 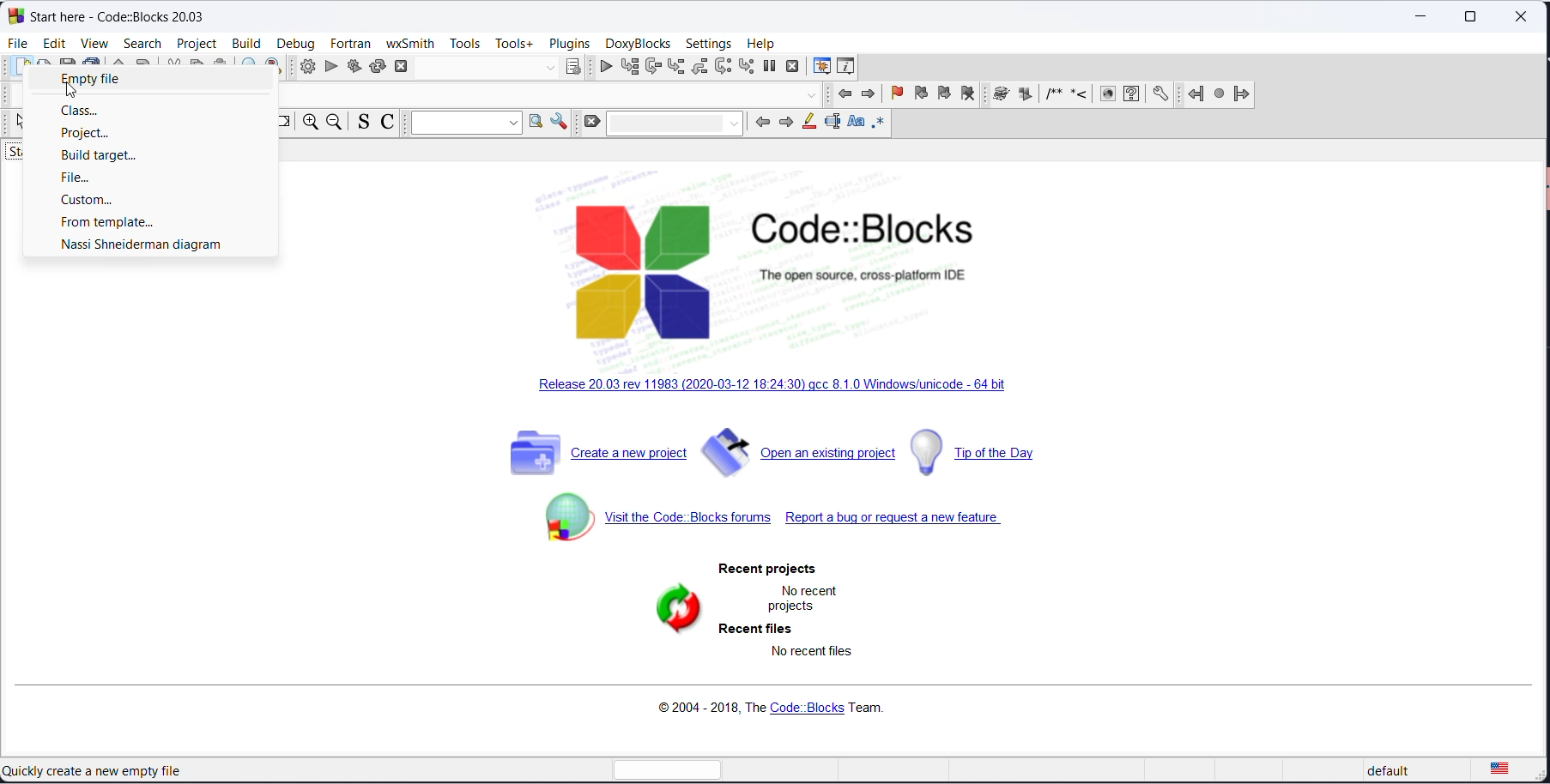 I want to click on run to cursor, so click(x=630, y=69).